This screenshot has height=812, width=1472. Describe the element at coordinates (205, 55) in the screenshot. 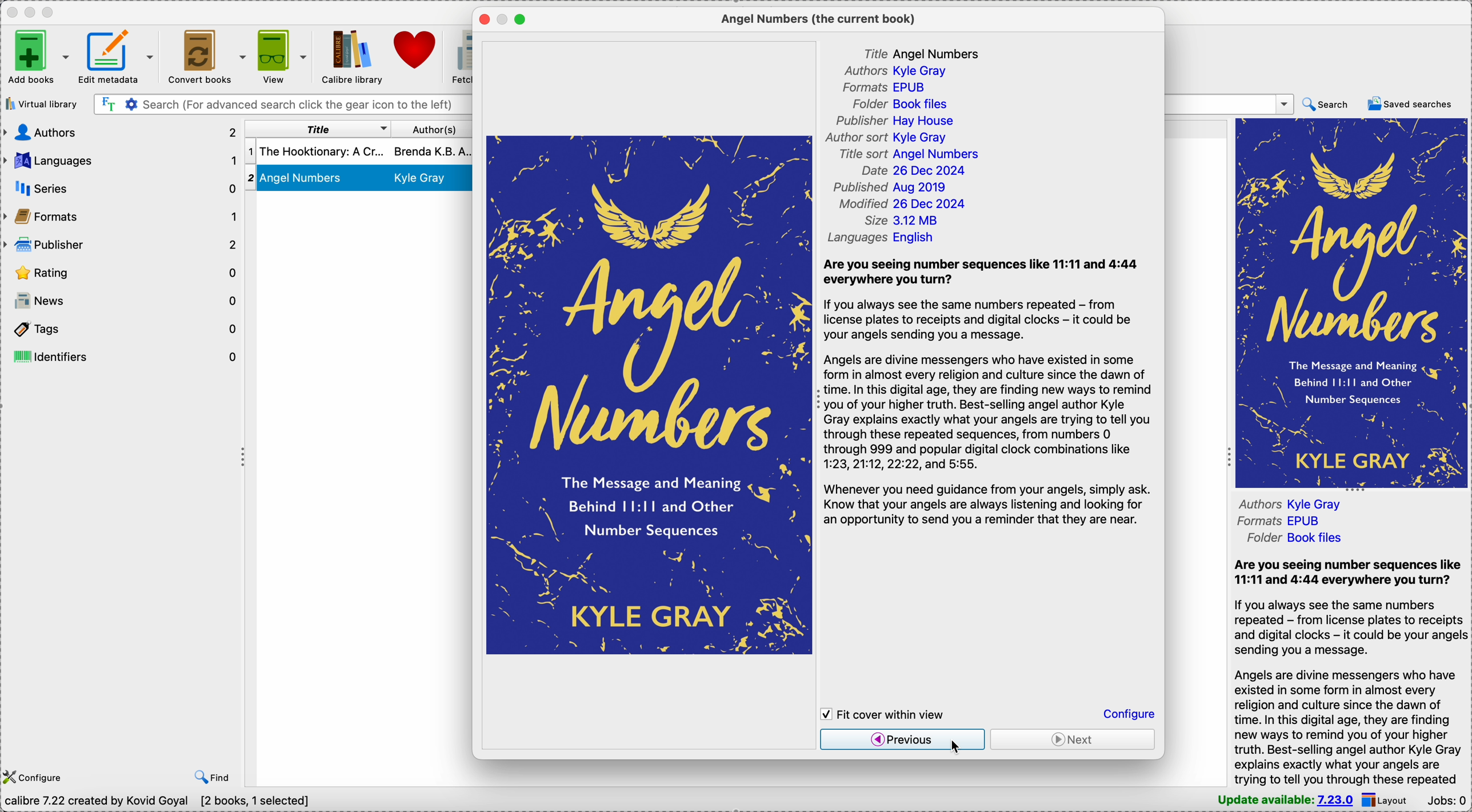

I see `convert books` at that location.